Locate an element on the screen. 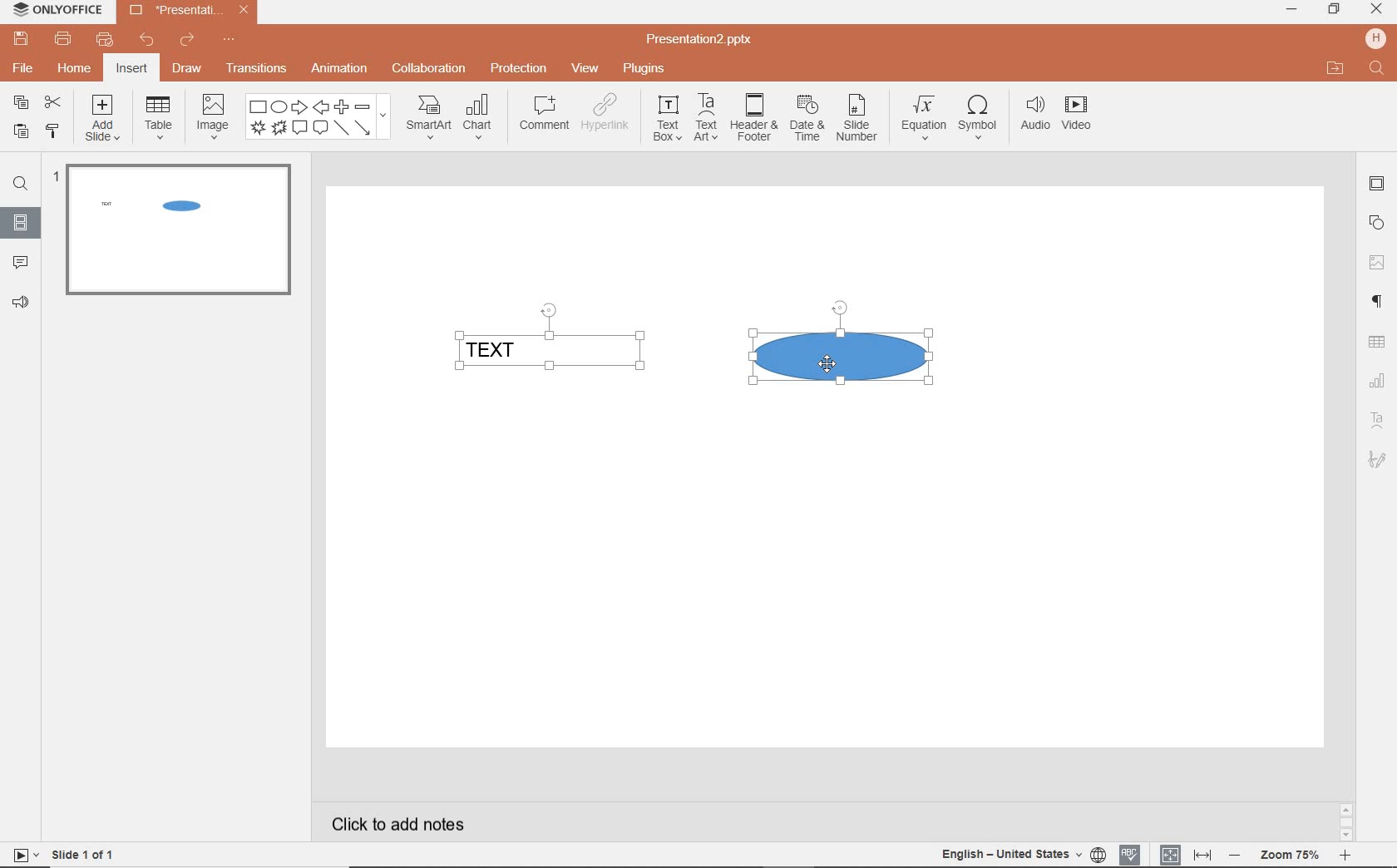 The width and height of the screenshot is (1397, 868). save is located at coordinates (18, 38).